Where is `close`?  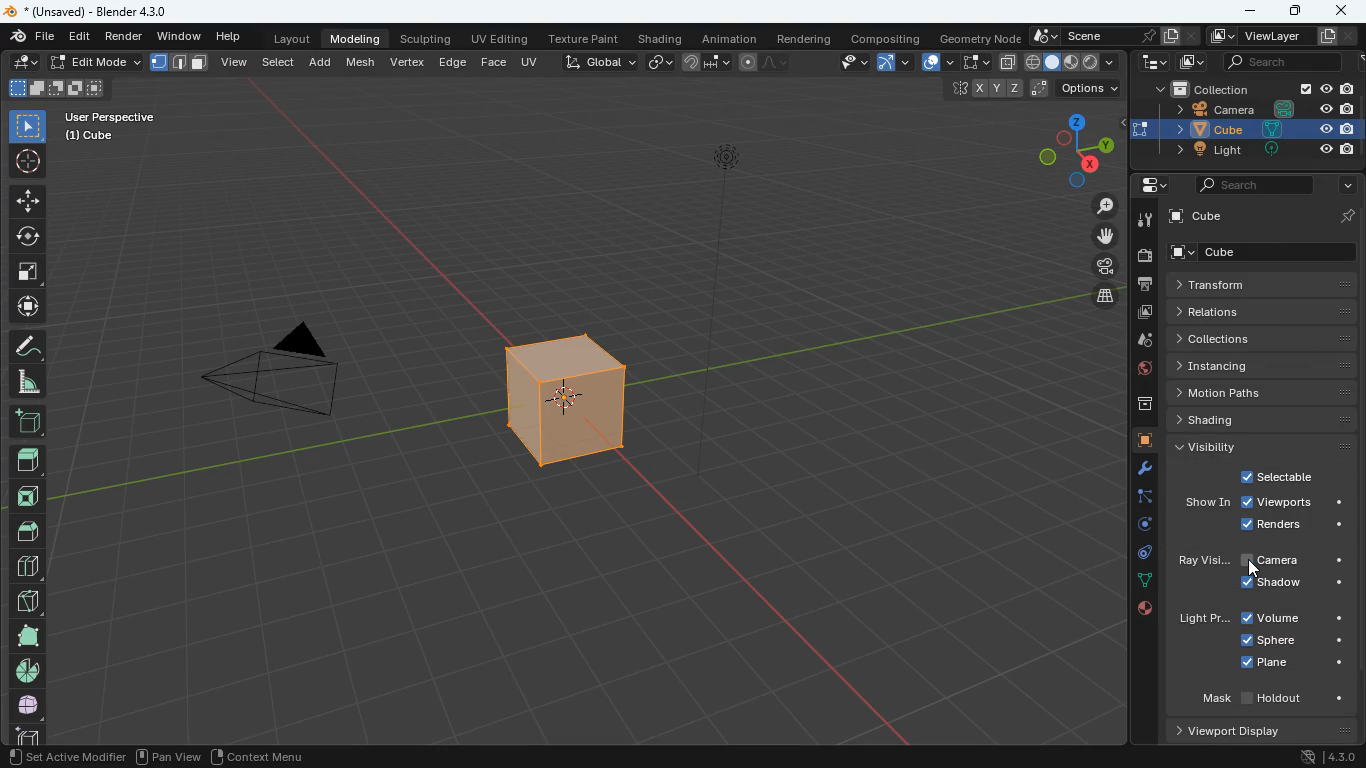 close is located at coordinates (1340, 10).